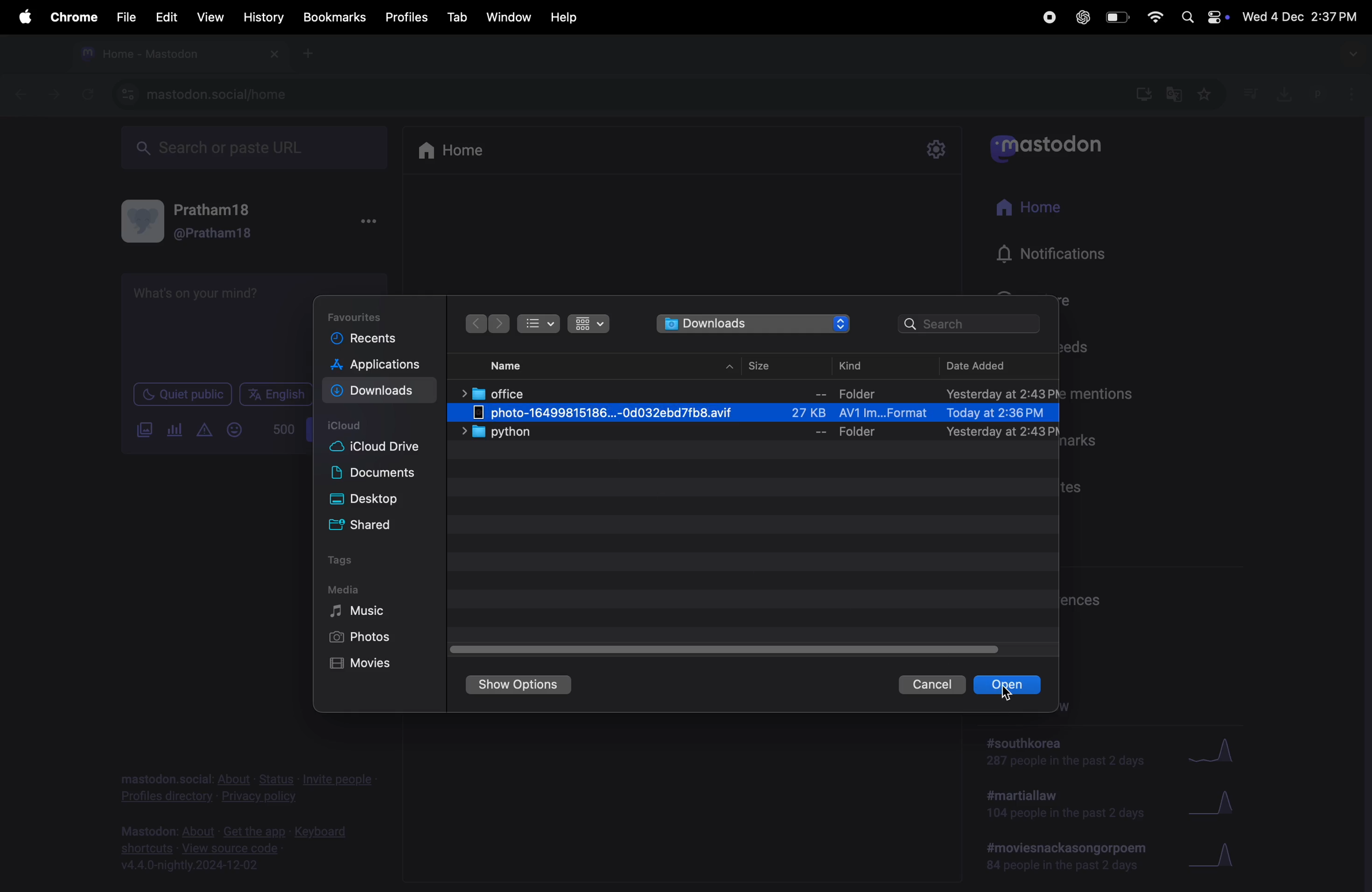  Describe the element at coordinates (367, 339) in the screenshot. I see `recents` at that location.